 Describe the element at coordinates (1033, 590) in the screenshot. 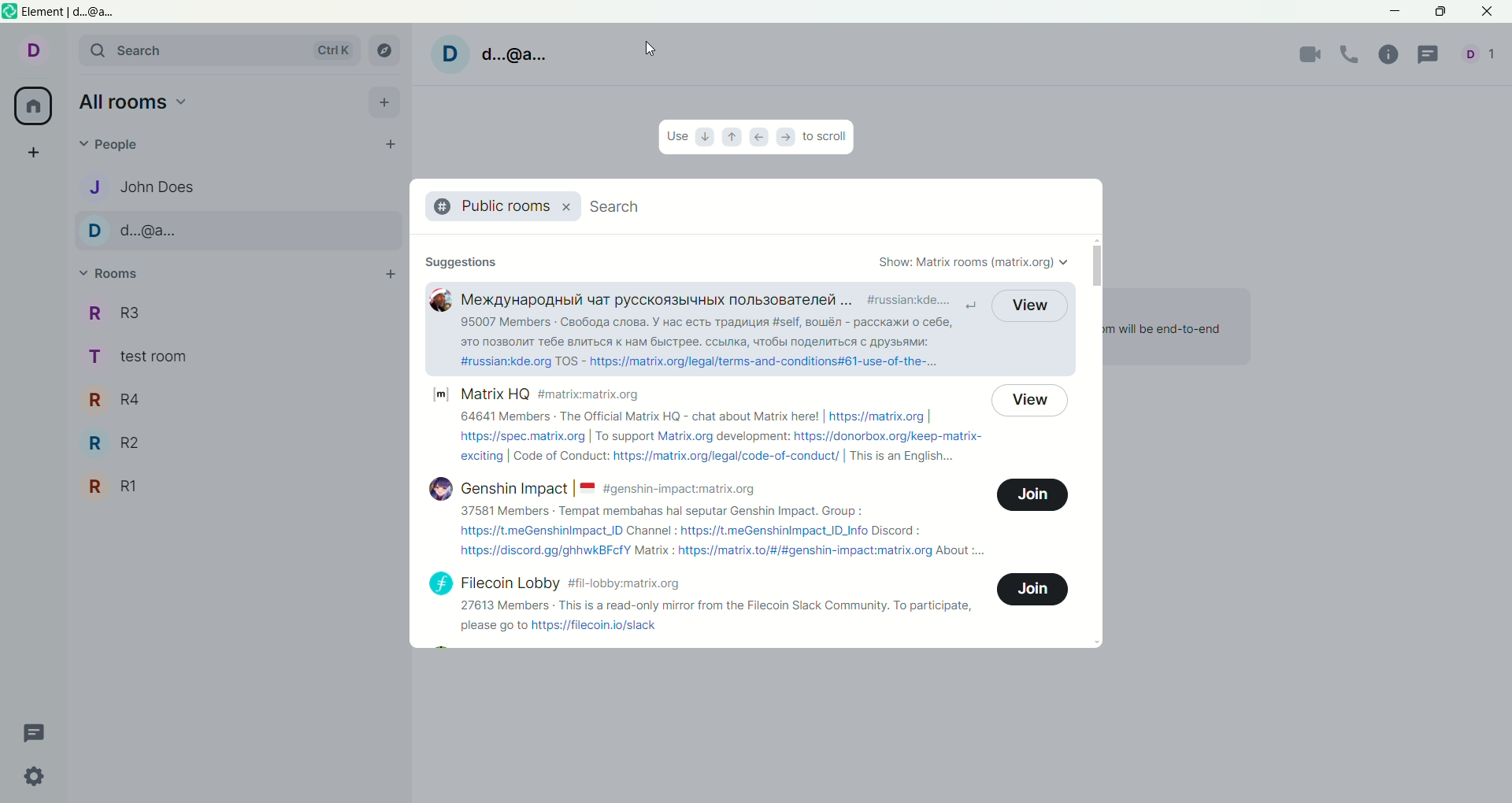

I see `join` at that location.